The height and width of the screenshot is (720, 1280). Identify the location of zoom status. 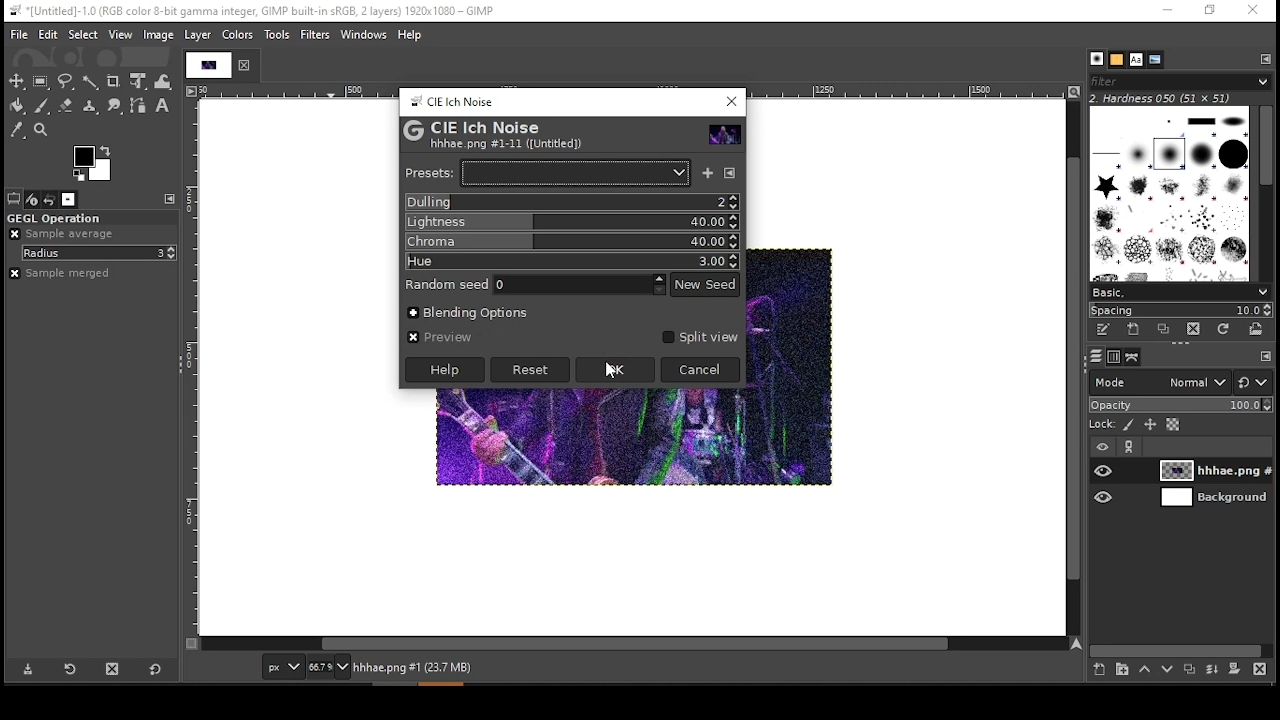
(329, 666).